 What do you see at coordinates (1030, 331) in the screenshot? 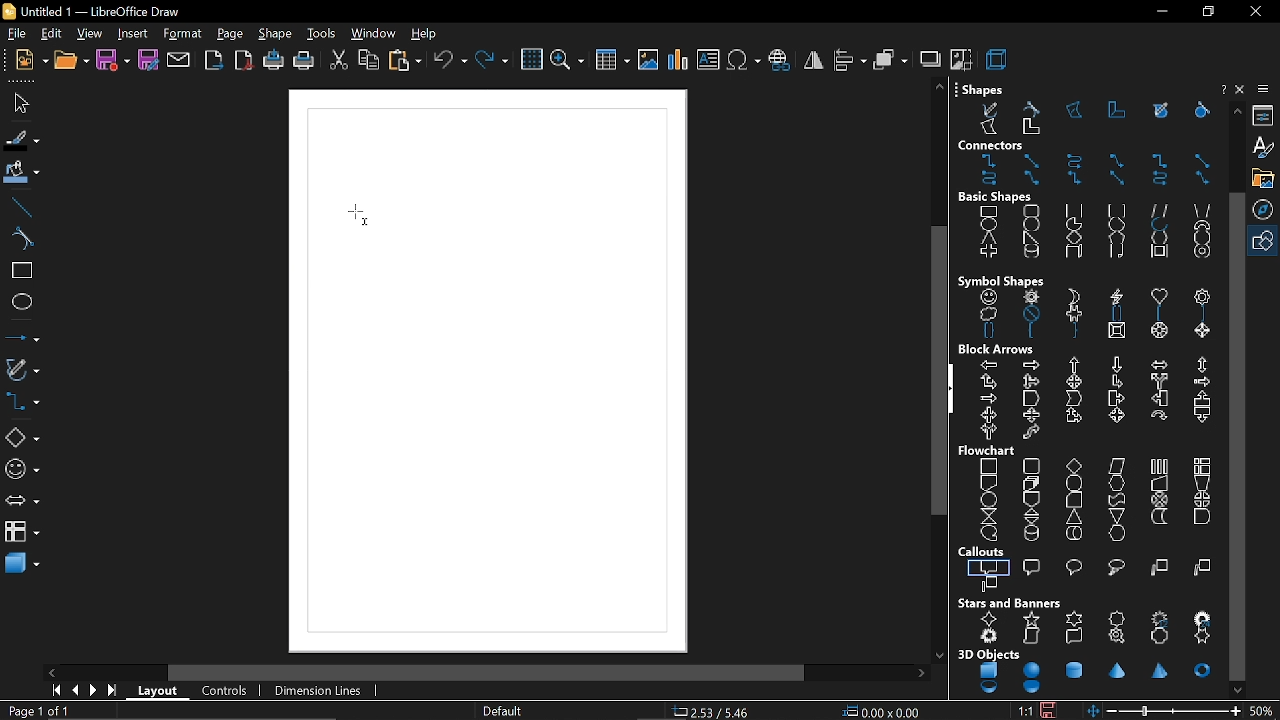
I see `left brace` at bounding box center [1030, 331].